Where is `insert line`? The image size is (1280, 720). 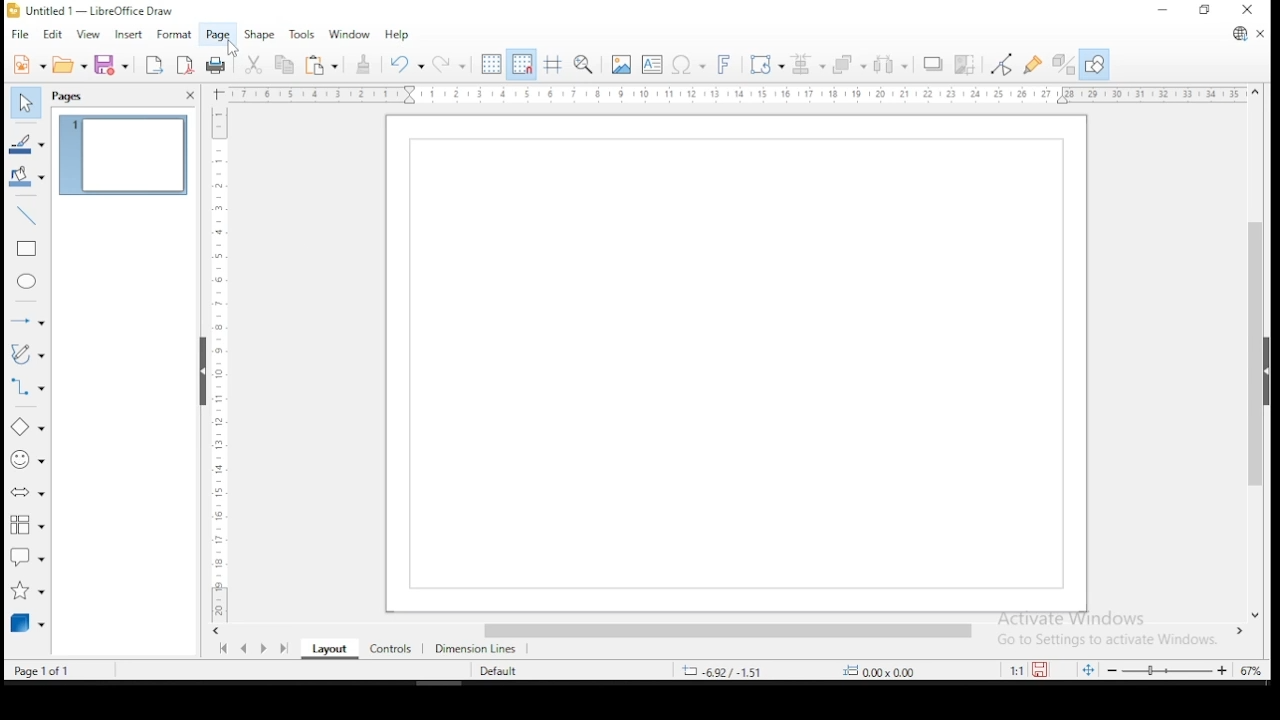
insert line is located at coordinates (28, 216).